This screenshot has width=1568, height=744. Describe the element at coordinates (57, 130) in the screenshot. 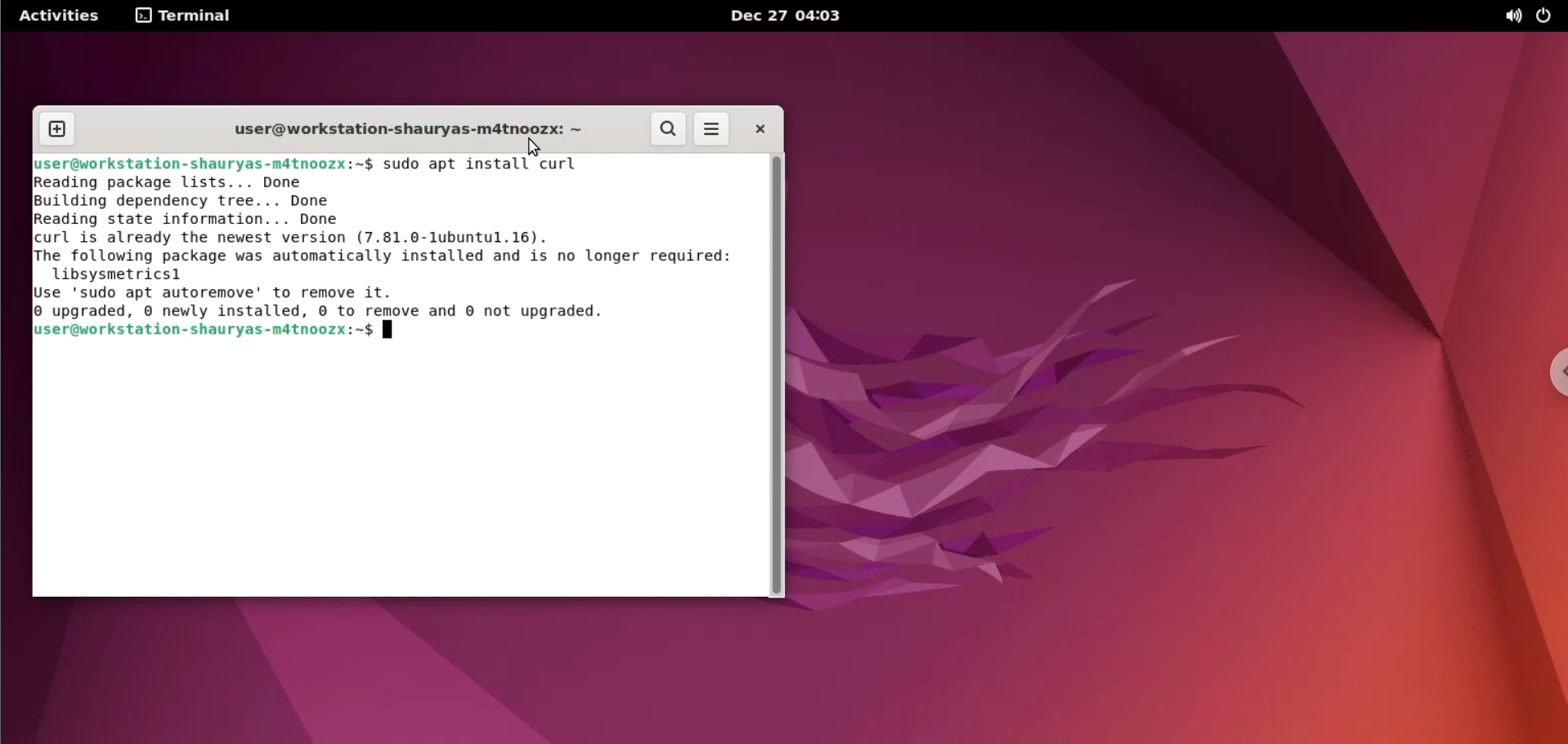

I see `new tab` at that location.